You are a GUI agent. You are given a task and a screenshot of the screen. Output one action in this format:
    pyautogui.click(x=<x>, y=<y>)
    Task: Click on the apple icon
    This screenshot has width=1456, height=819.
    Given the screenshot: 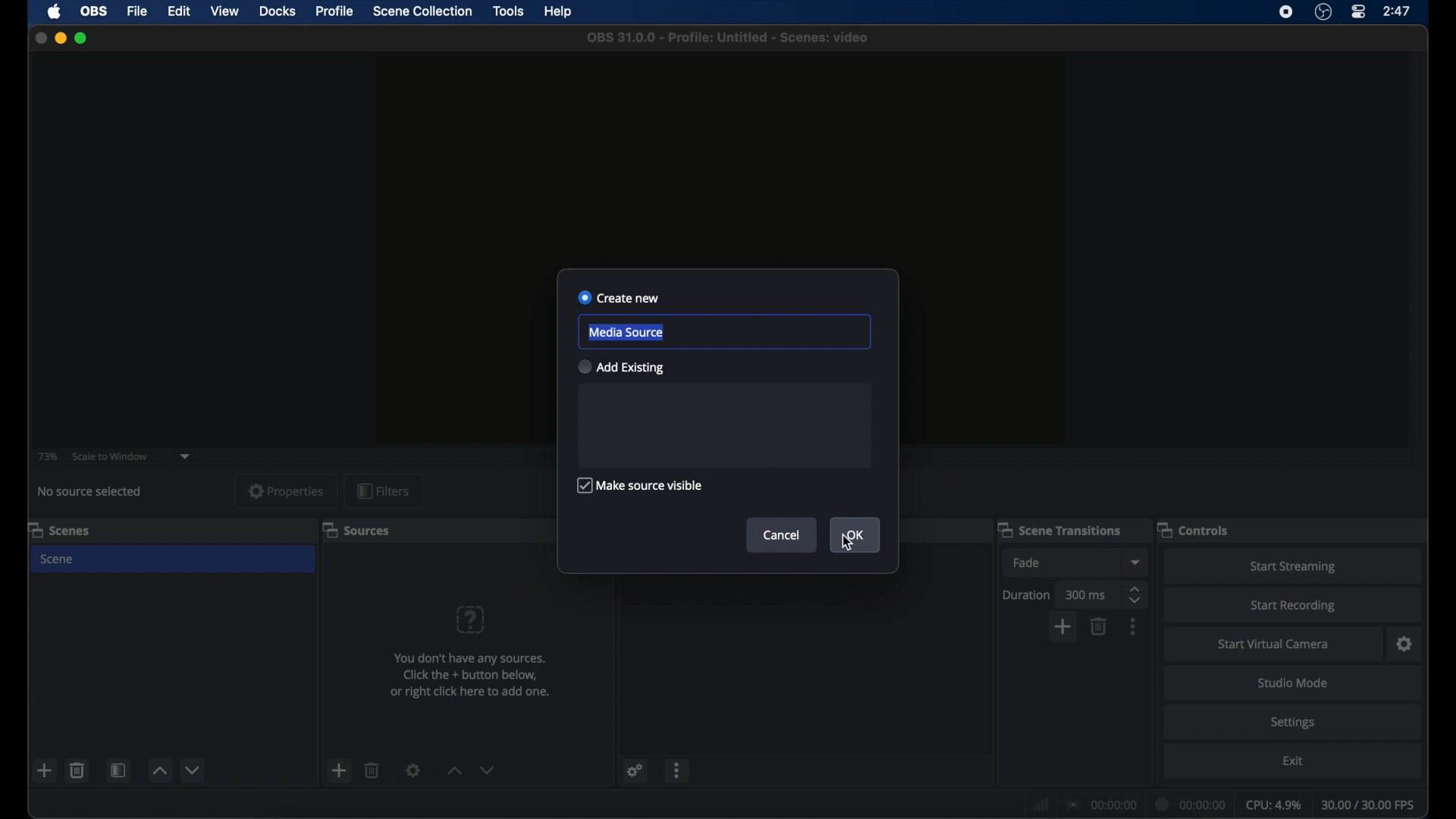 What is the action you would take?
    pyautogui.click(x=55, y=11)
    